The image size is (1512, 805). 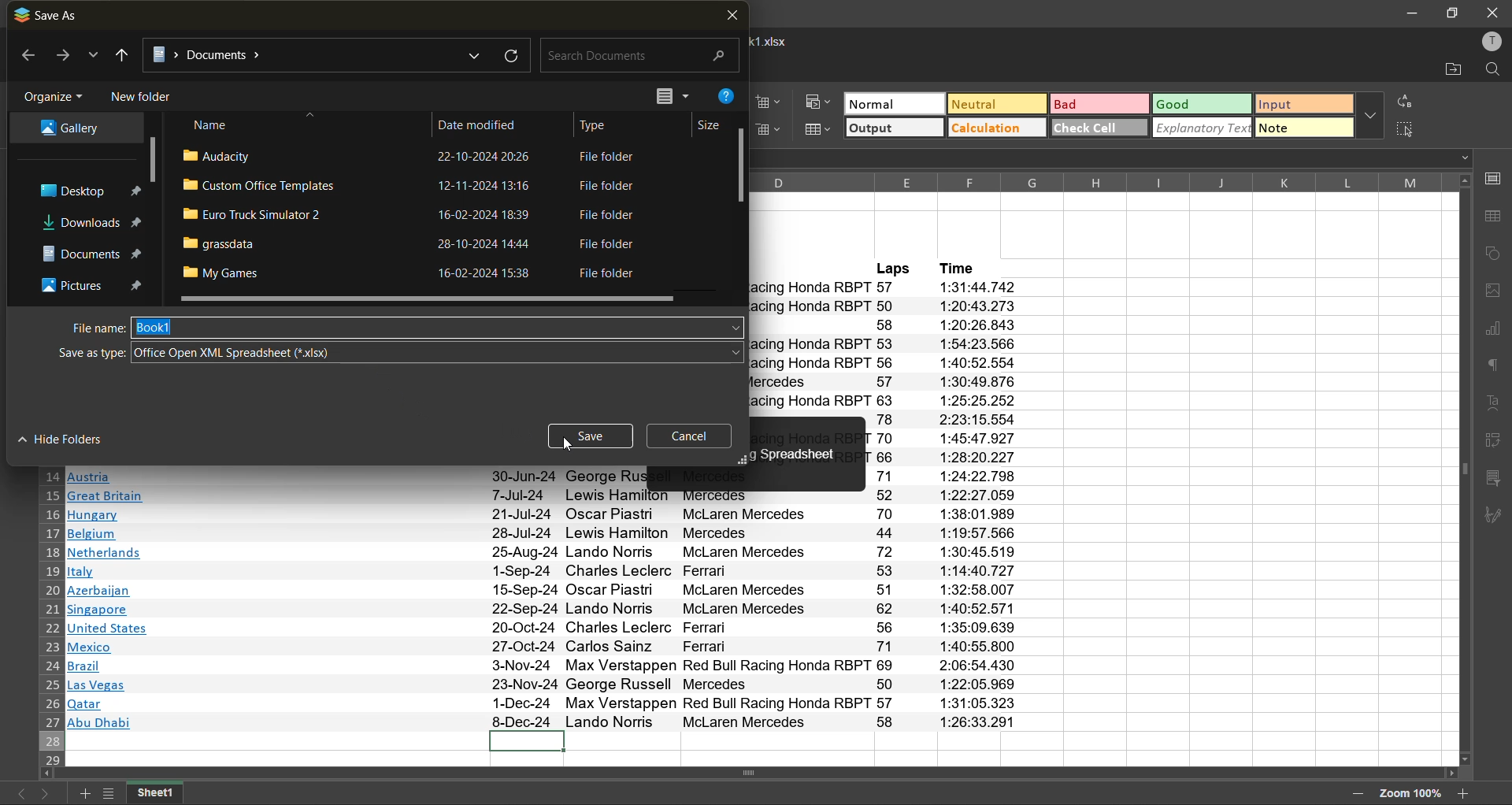 What do you see at coordinates (543, 609) in the screenshot?
I see `Singapore 22-Sep-24 Lando Norris McLaren Mercedes 62 1:40:52.571` at bounding box center [543, 609].